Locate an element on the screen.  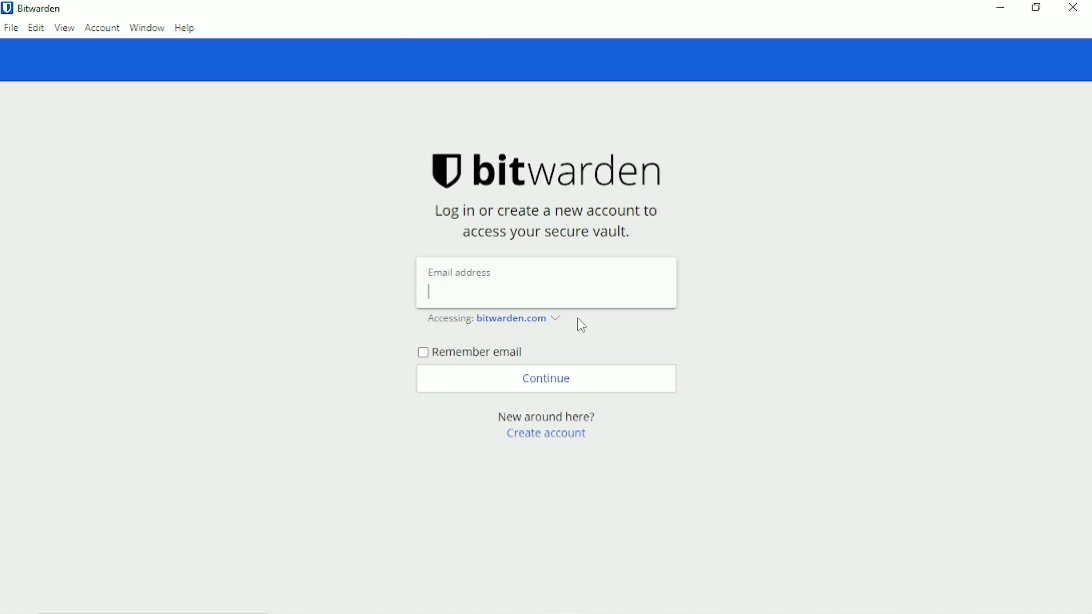
Log in or create a new account to
access your secure vault. is located at coordinates (548, 222).